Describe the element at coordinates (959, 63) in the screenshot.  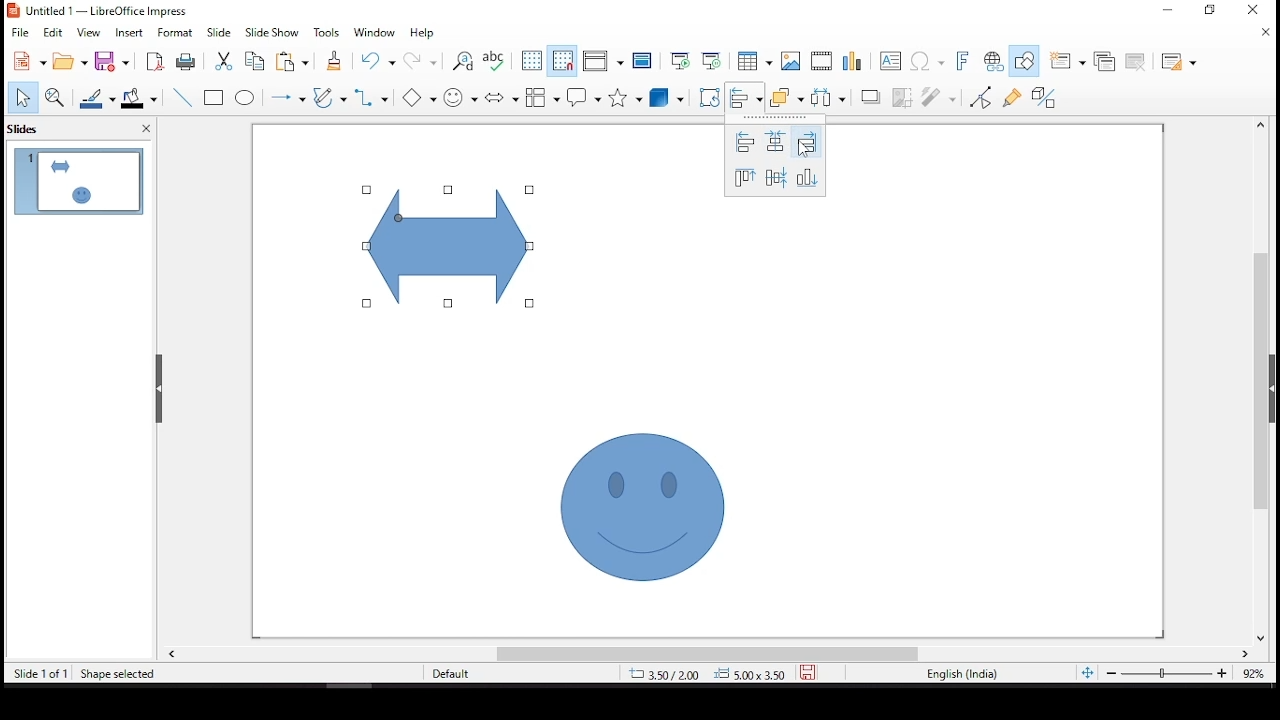
I see `insert font work text` at that location.